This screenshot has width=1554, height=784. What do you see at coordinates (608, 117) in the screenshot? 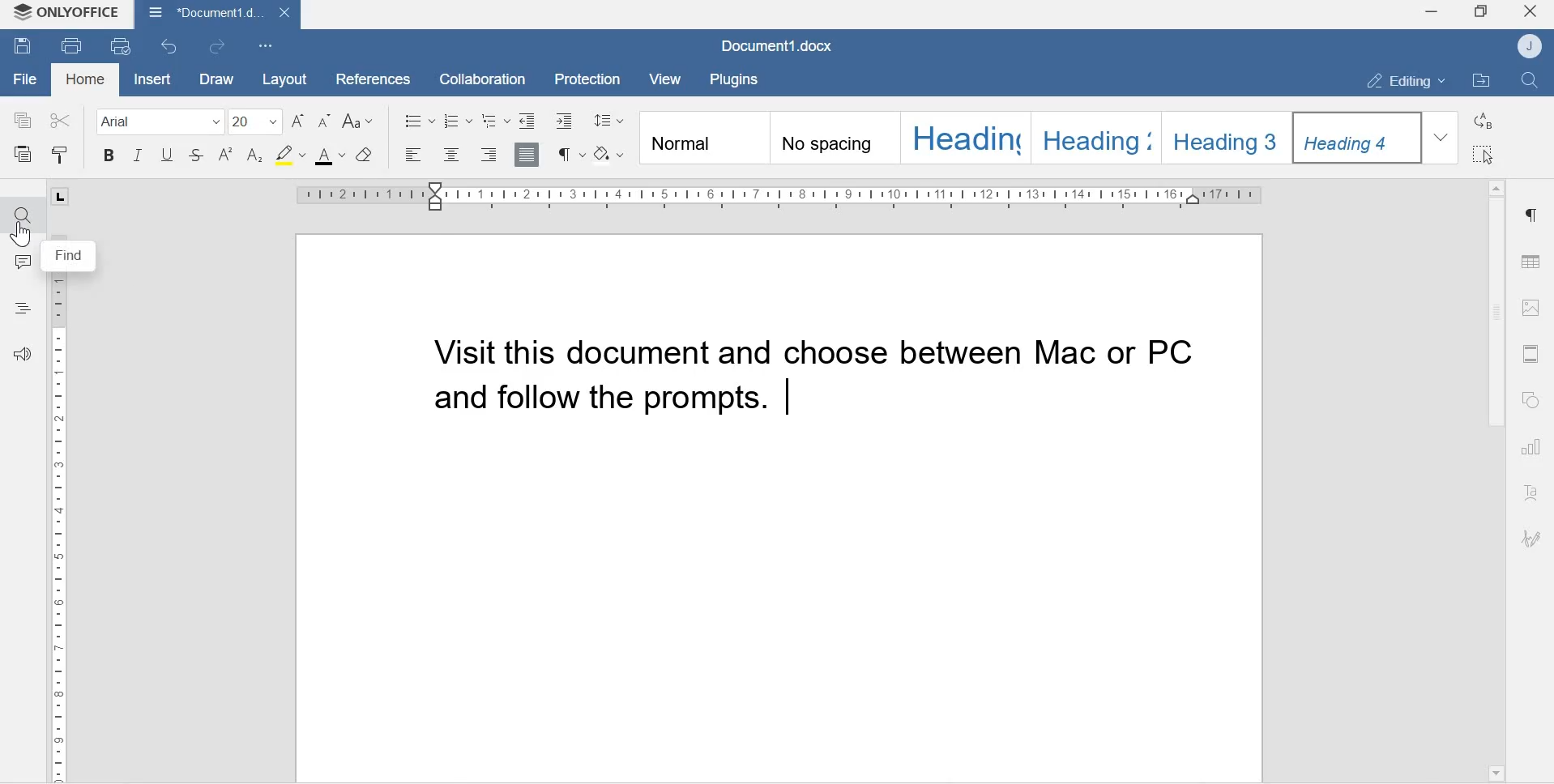
I see `Paragraph line spacing` at bounding box center [608, 117].